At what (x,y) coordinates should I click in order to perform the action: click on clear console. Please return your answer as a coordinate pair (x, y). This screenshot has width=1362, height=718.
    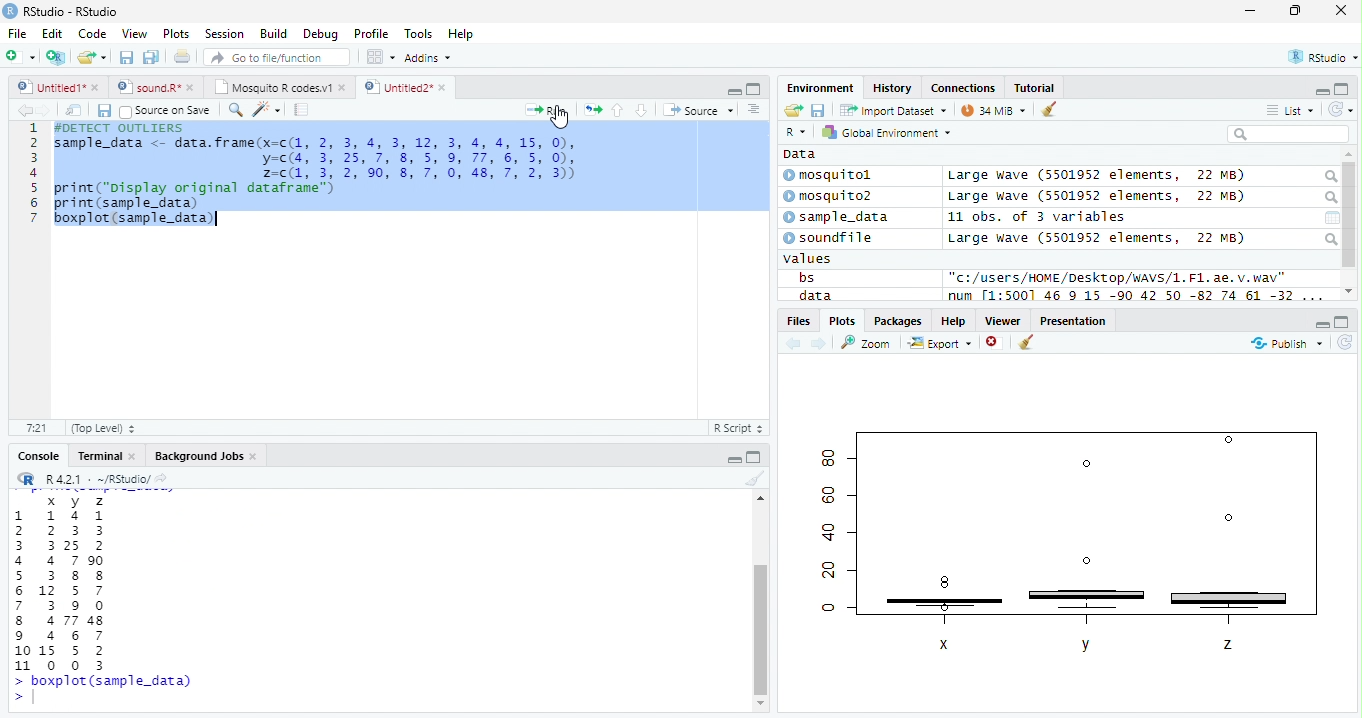
    Looking at the image, I should click on (1049, 108).